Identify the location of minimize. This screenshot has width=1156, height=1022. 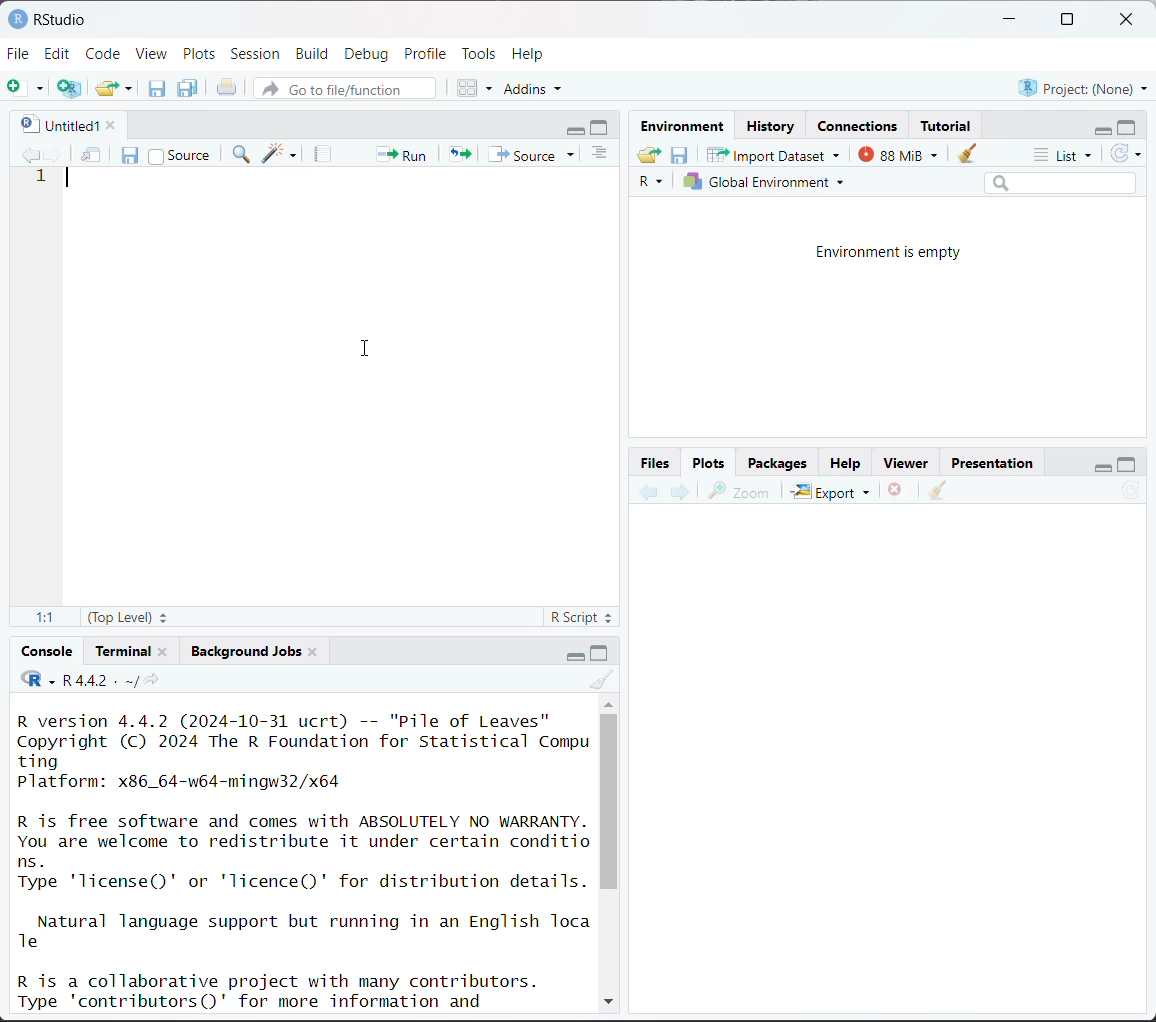
(1011, 20).